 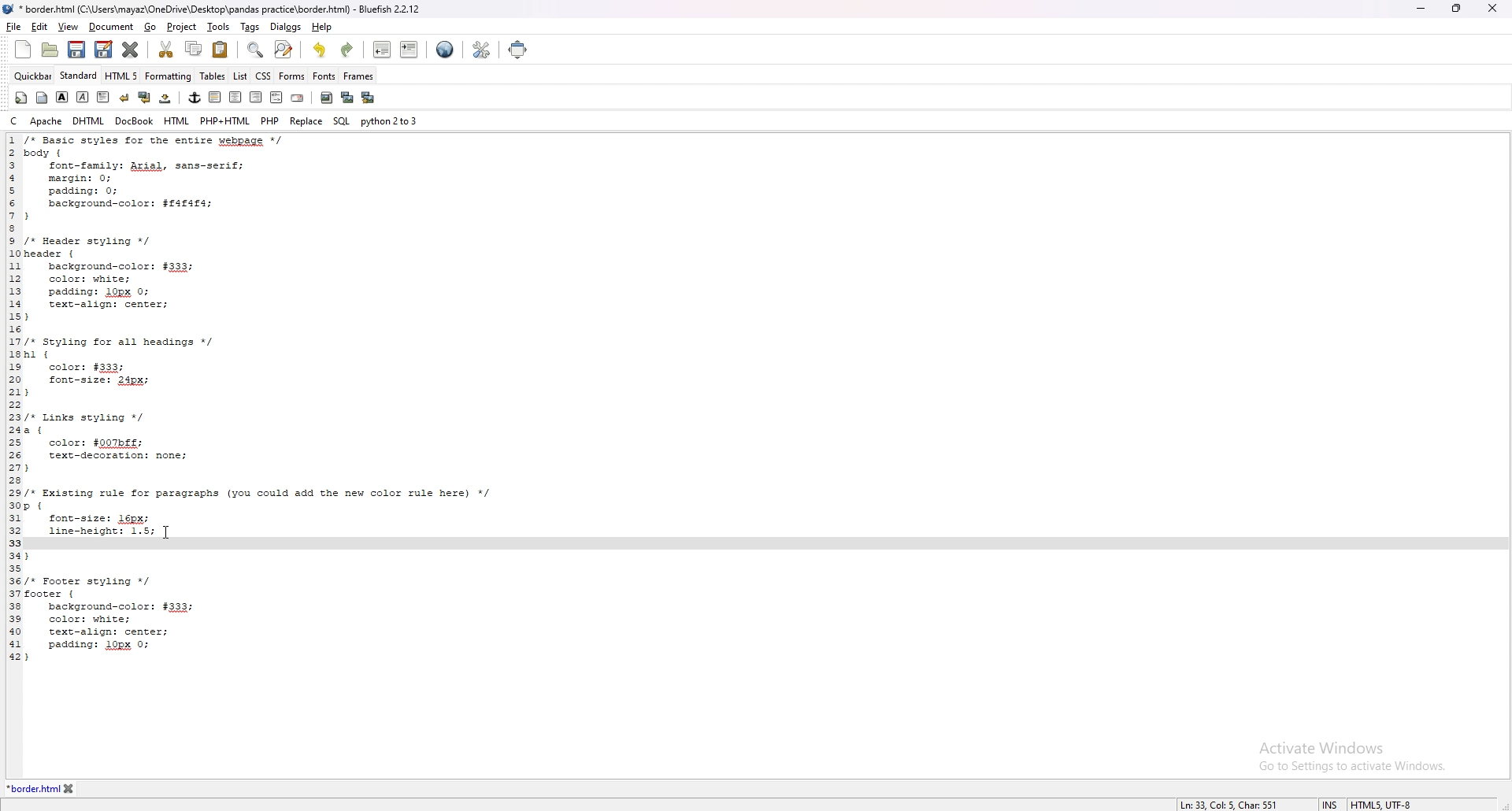 I want to click on php, so click(x=270, y=120).